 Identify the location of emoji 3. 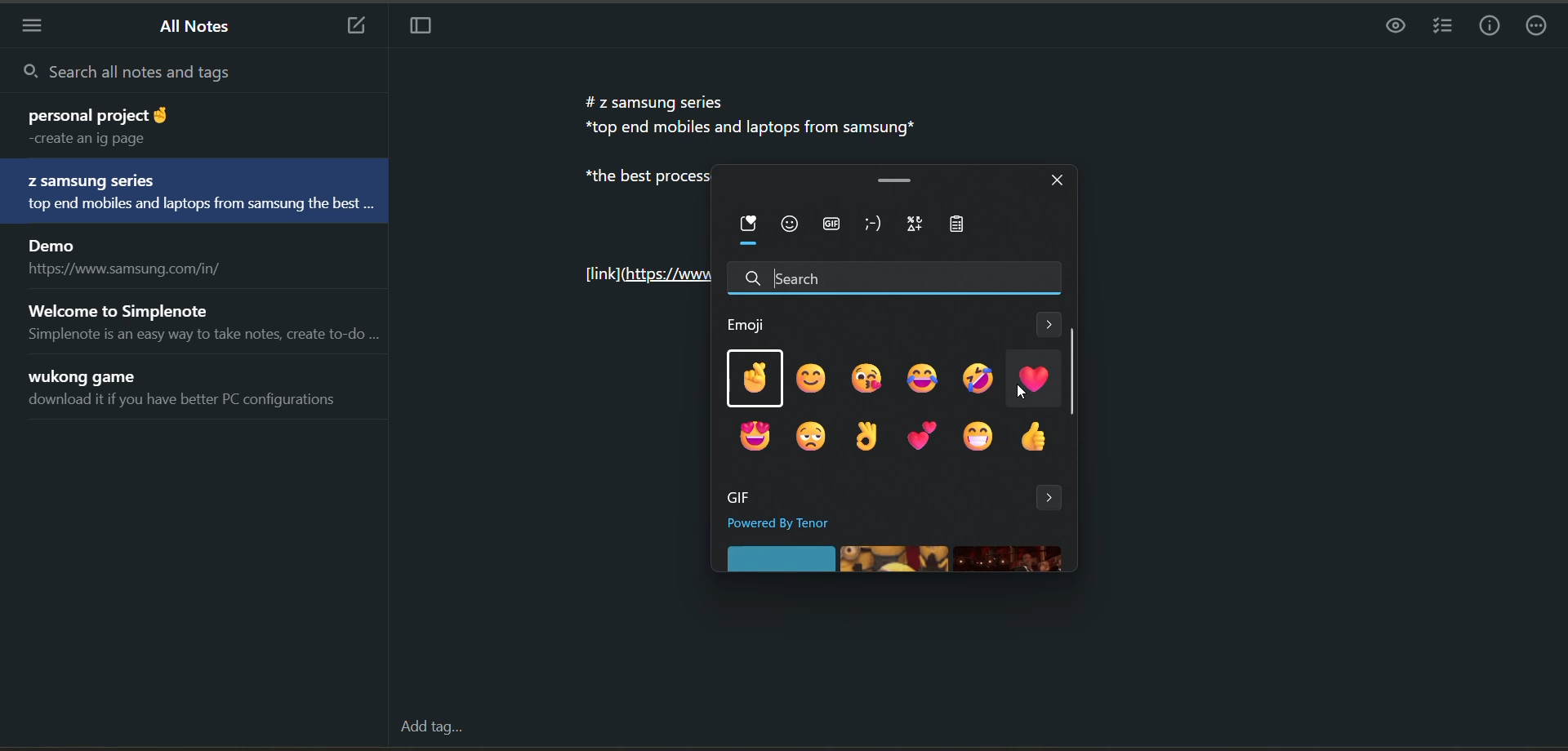
(865, 377).